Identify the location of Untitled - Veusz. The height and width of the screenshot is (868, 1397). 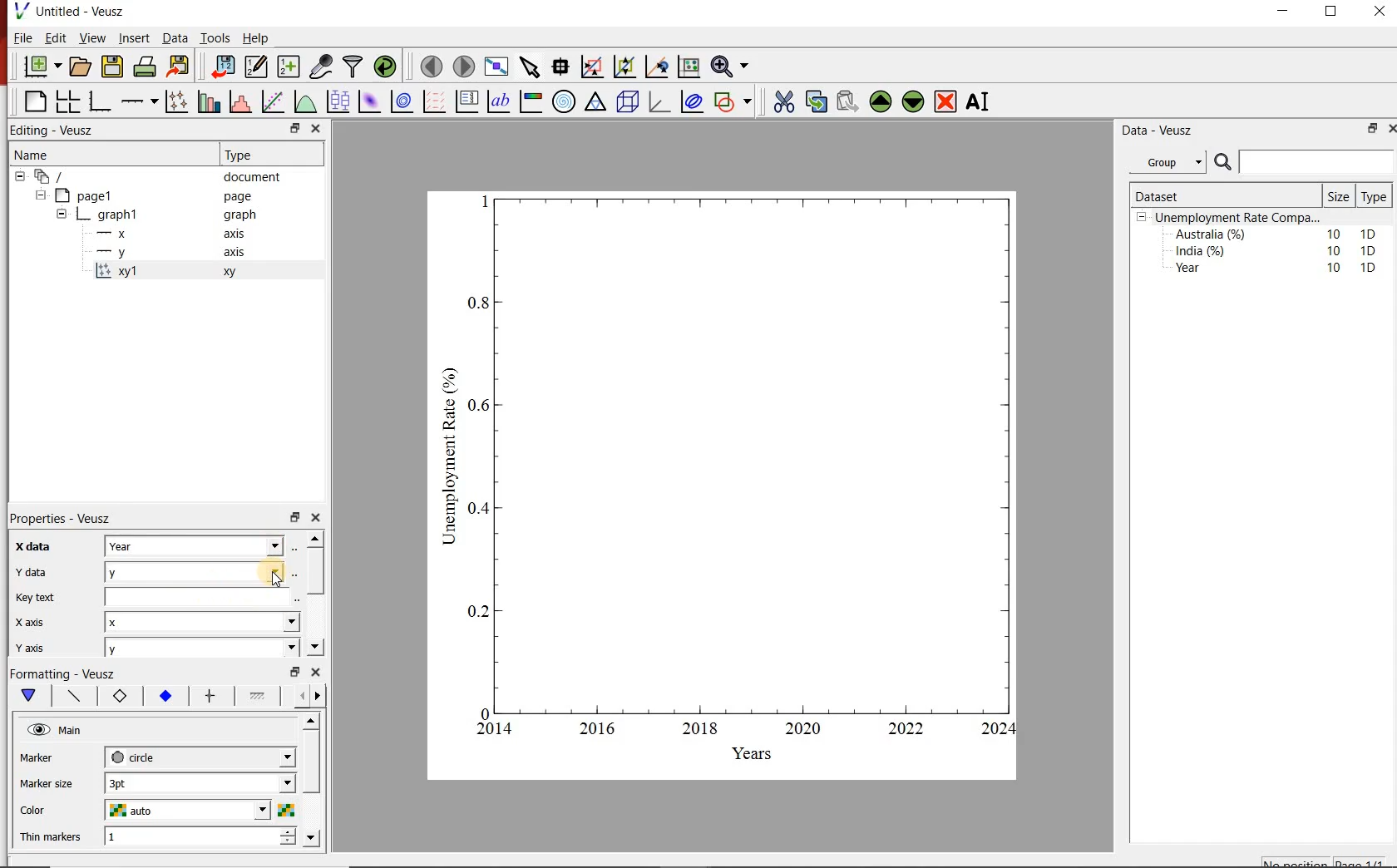
(68, 10).